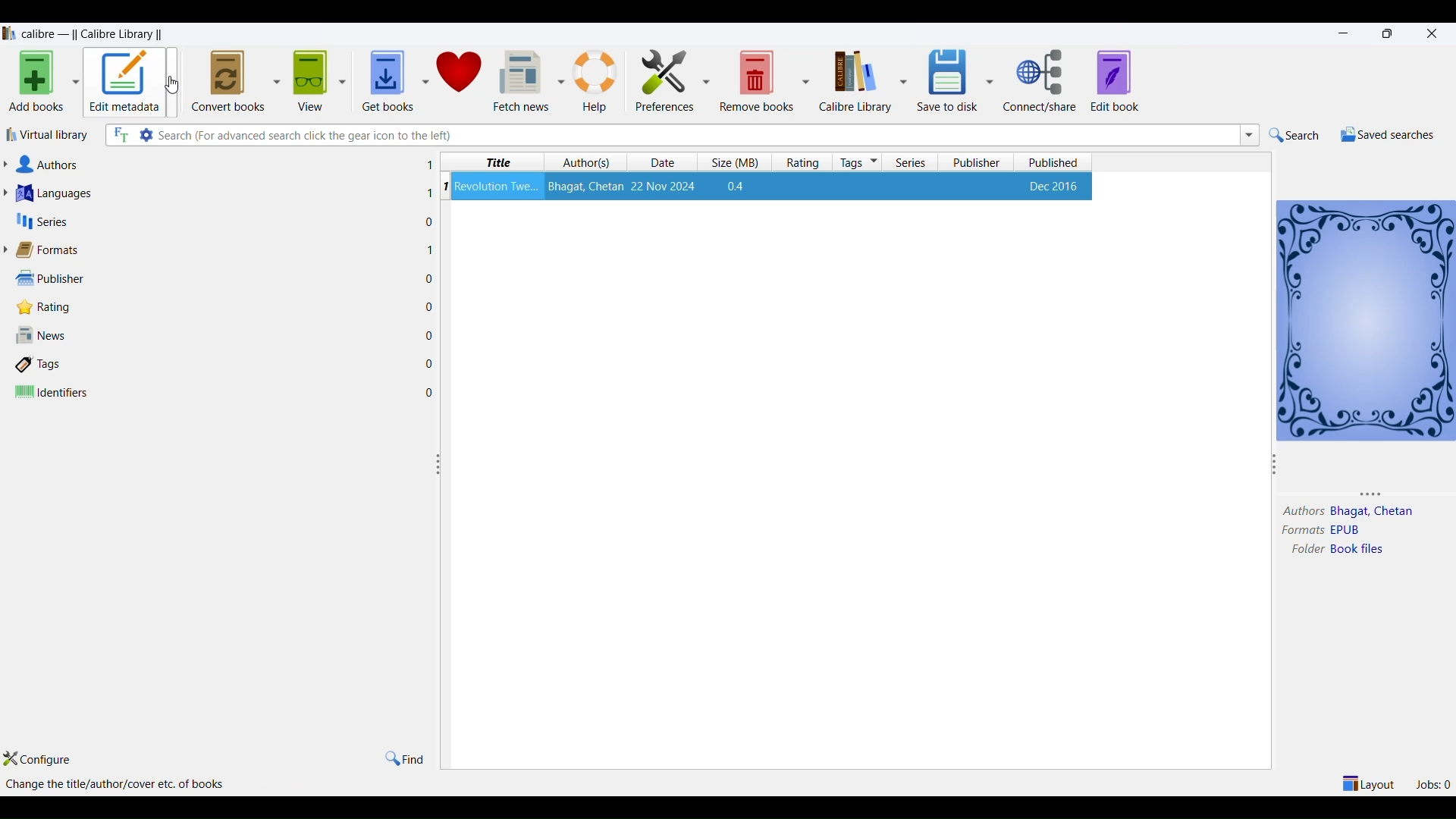  Describe the element at coordinates (176, 79) in the screenshot. I see `metadata options dropdown button` at that location.